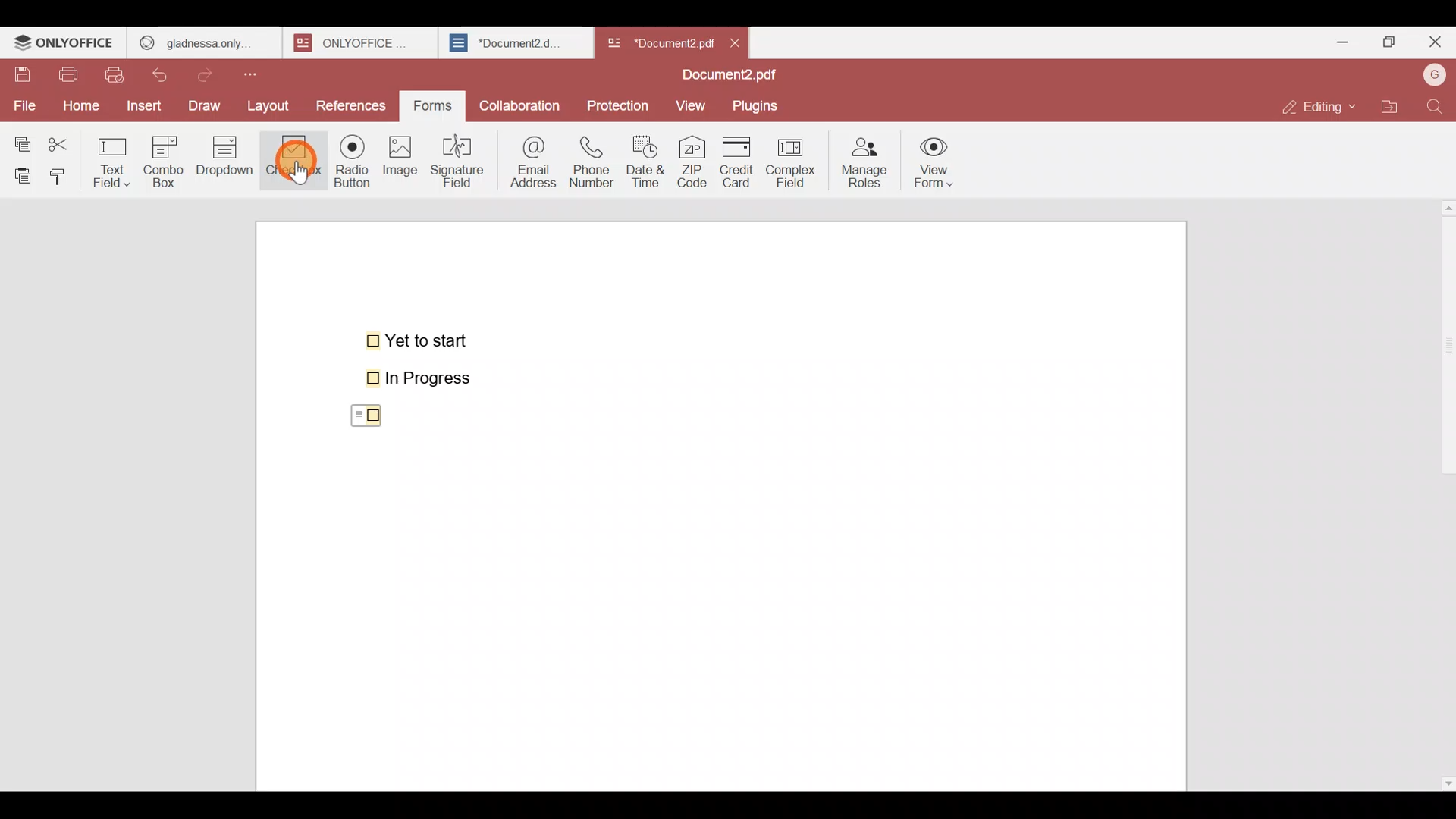 This screenshot has height=819, width=1456. What do you see at coordinates (1389, 105) in the screenshot?
I see `Open file location` at bounding box center [1389, 105].